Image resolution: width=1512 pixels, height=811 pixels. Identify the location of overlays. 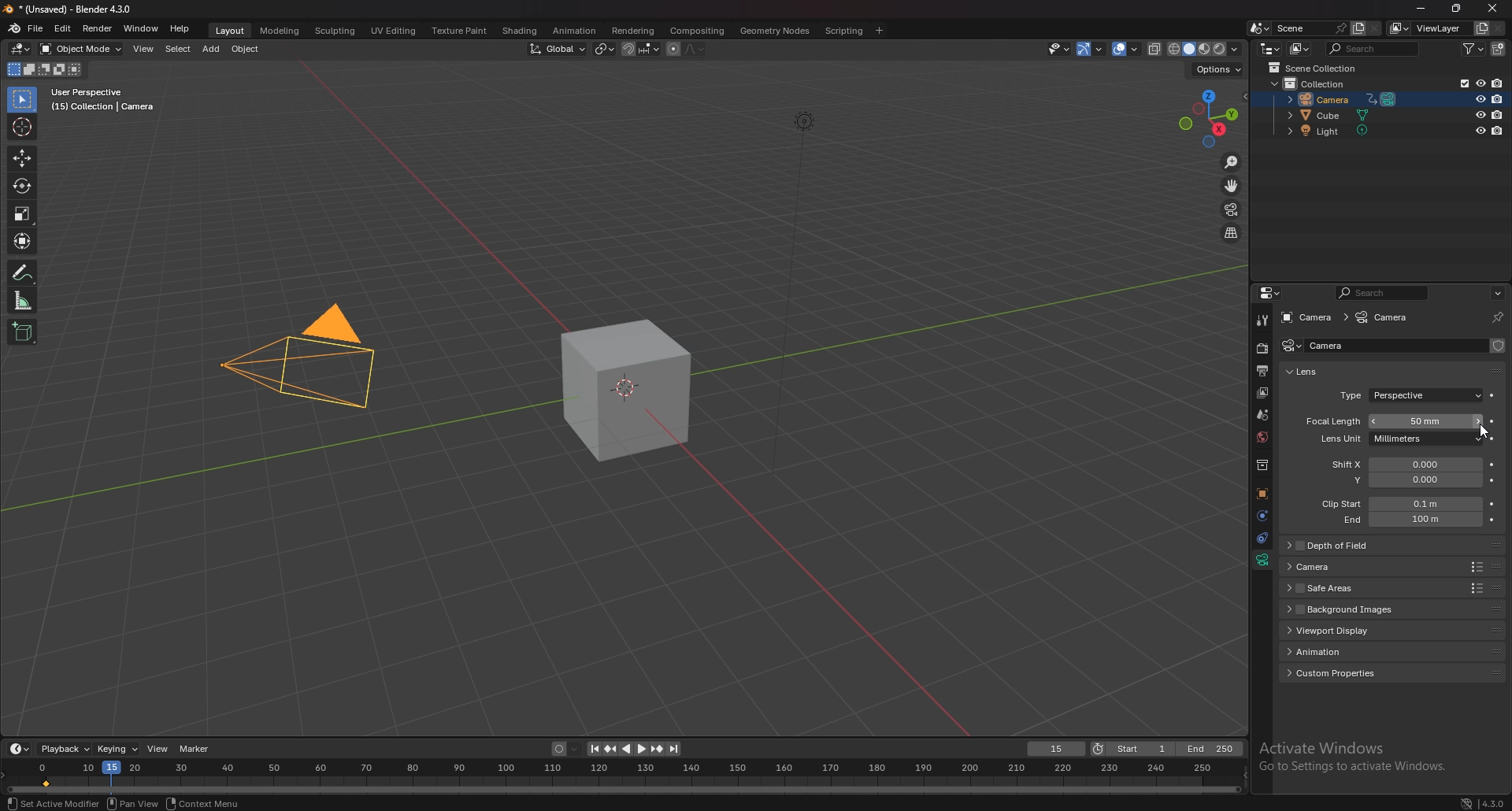
(1127, 50).